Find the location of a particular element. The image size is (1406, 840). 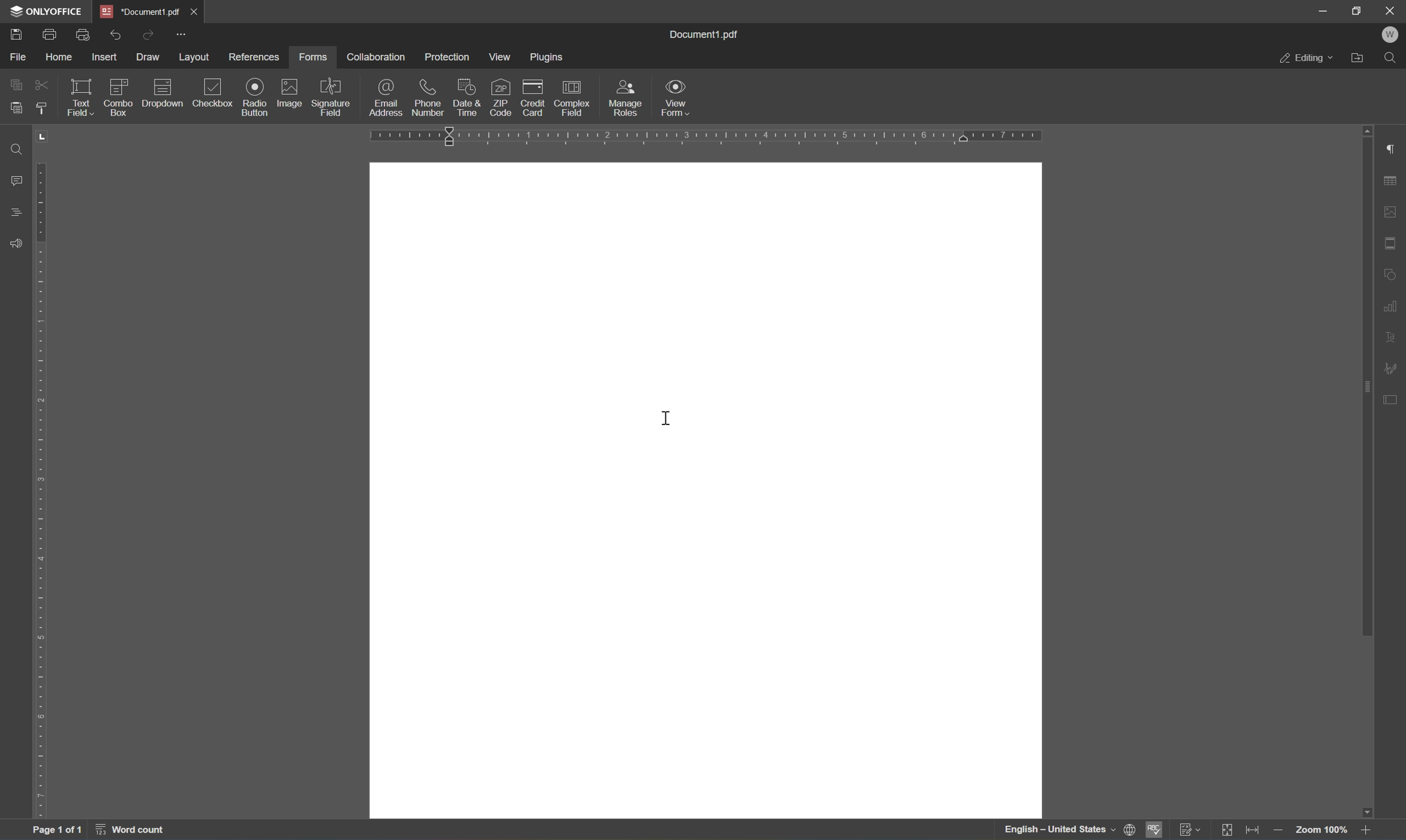

plugins is located at coordinates (545, 58).